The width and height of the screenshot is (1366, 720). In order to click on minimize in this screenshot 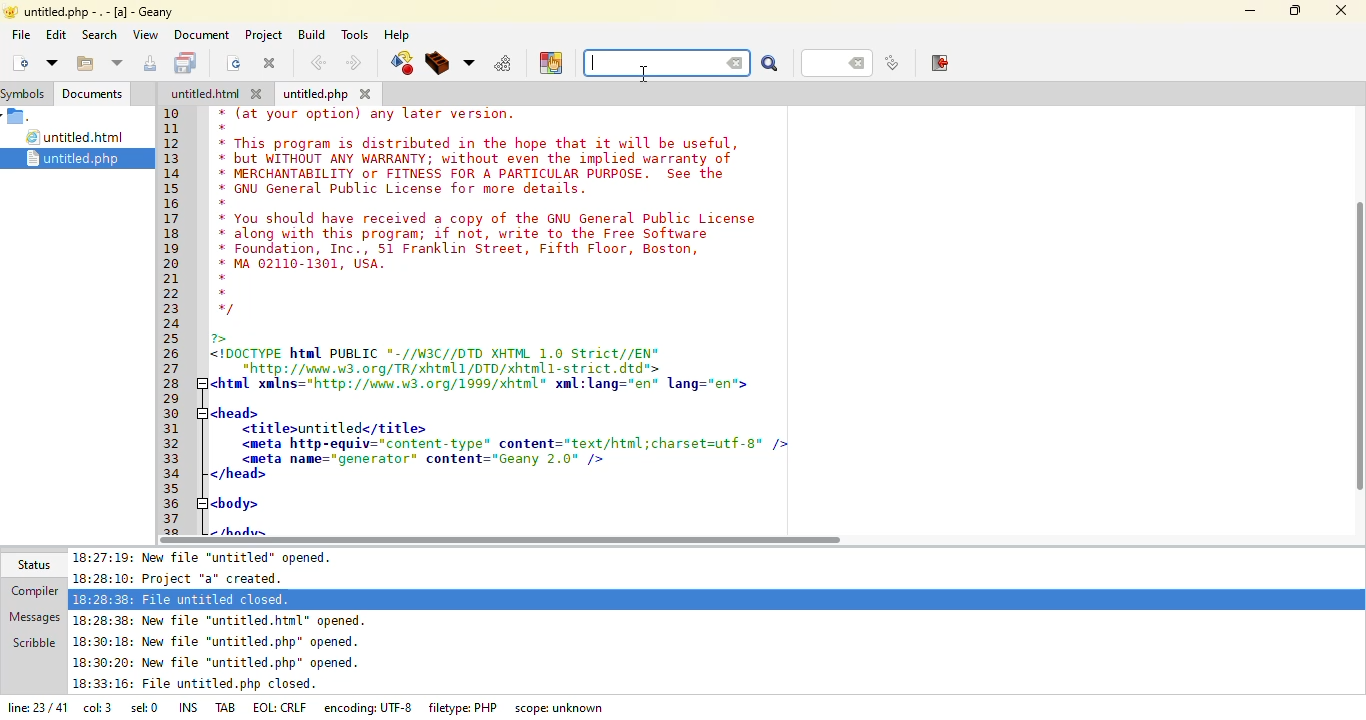, I will do `click(1250, 10)`.